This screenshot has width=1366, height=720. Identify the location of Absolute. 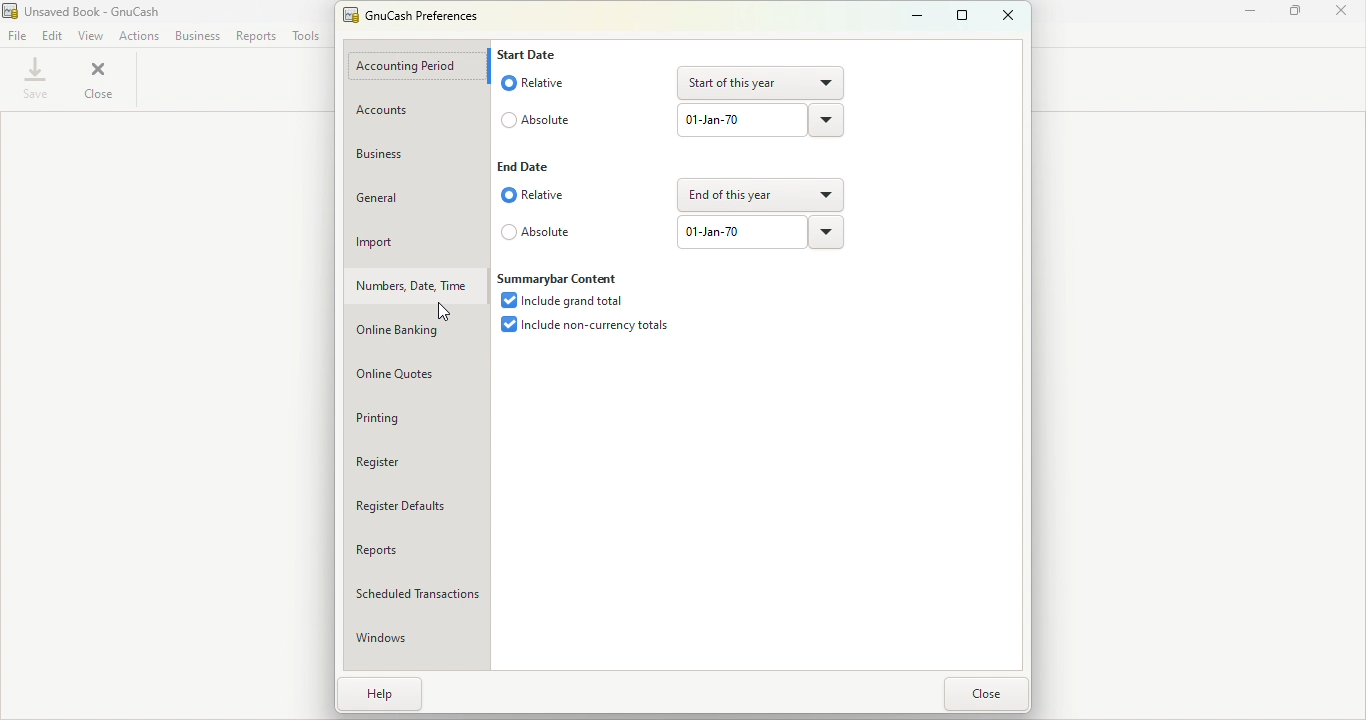
(545, 231).